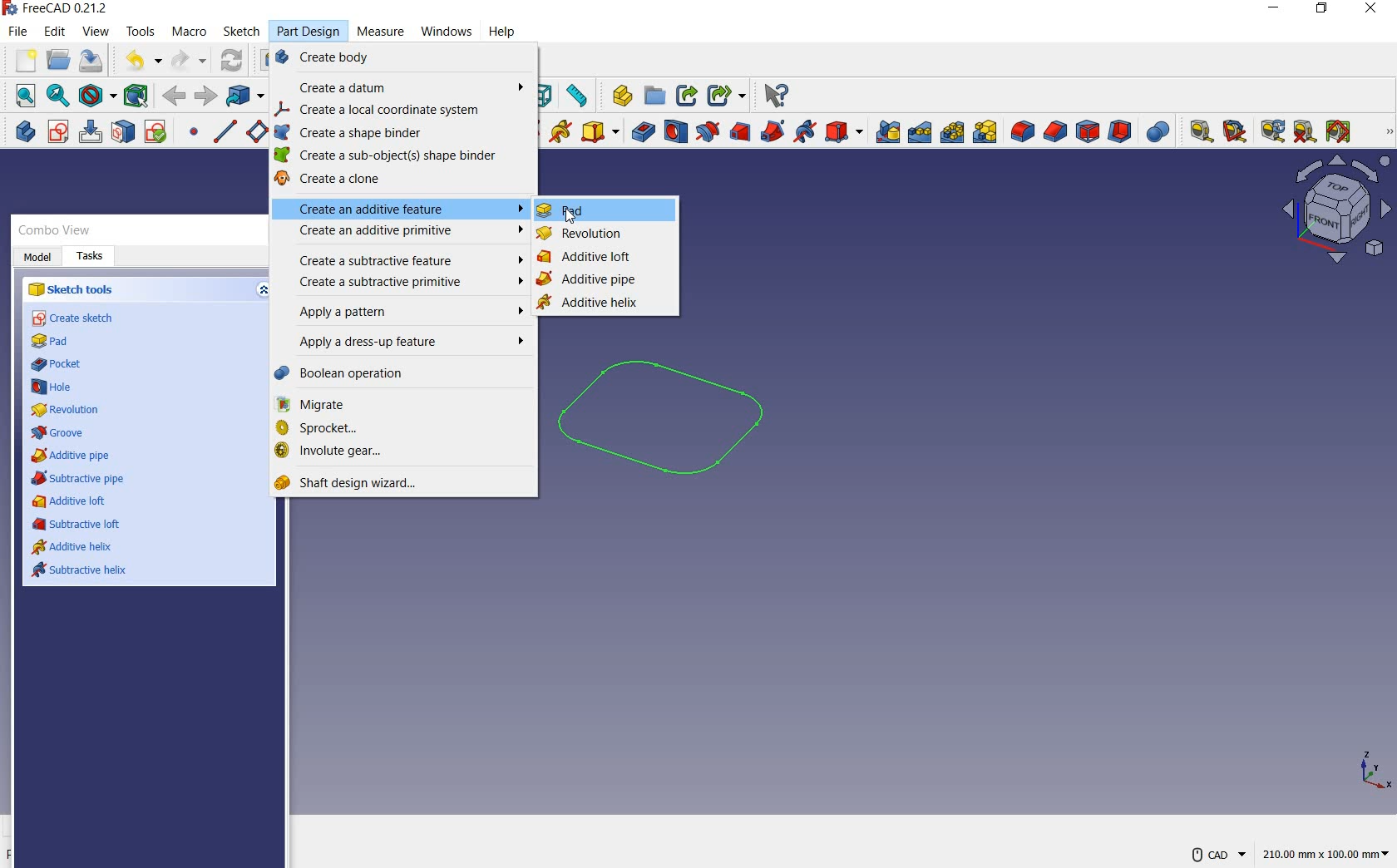  What do you see at coordinates (804, 132) in the screenshot?
I see `subtractive helix` at bounding box center [804, 132].